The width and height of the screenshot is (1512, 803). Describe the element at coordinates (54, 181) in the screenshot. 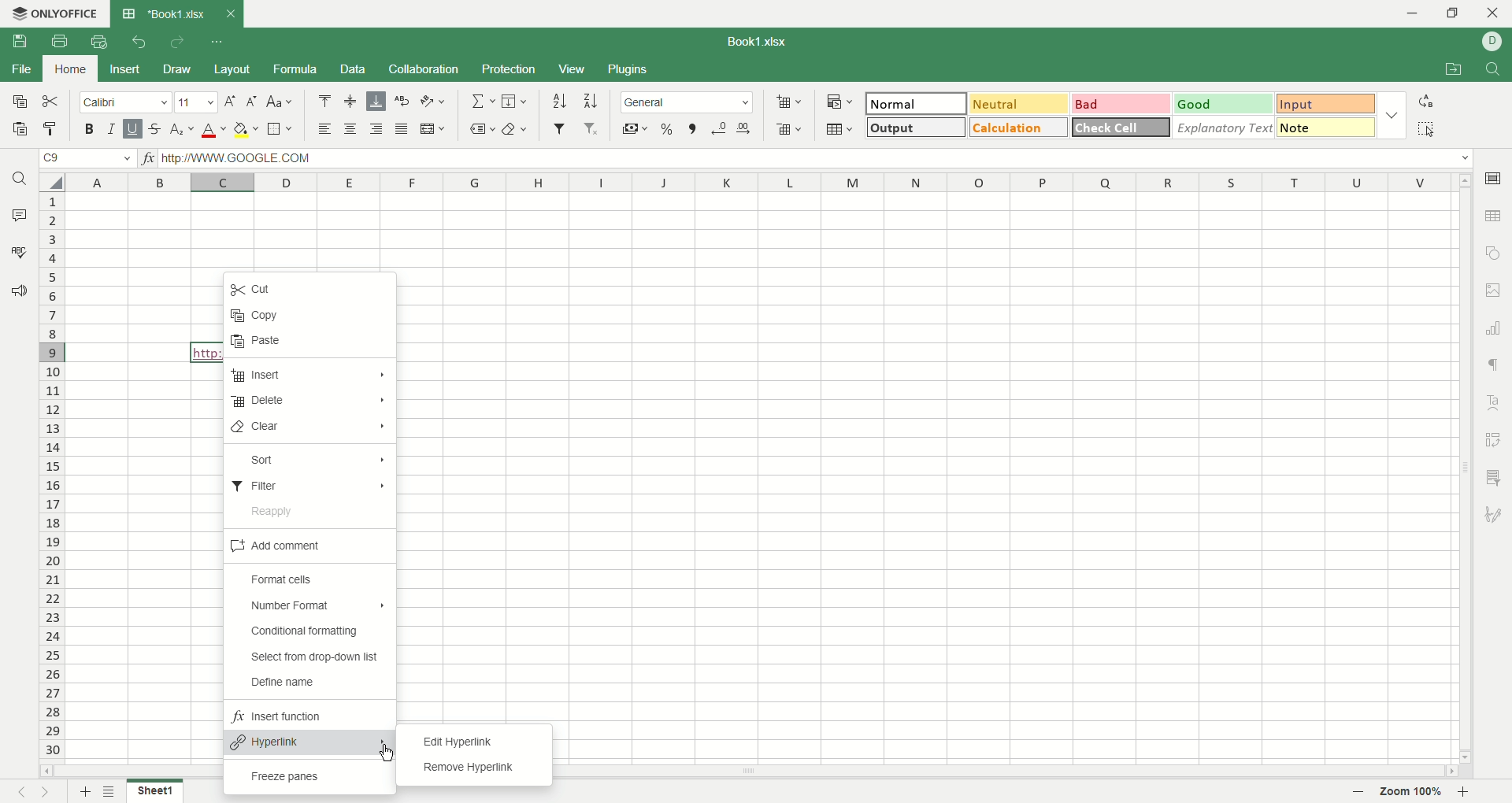

I see `select all` at that location.